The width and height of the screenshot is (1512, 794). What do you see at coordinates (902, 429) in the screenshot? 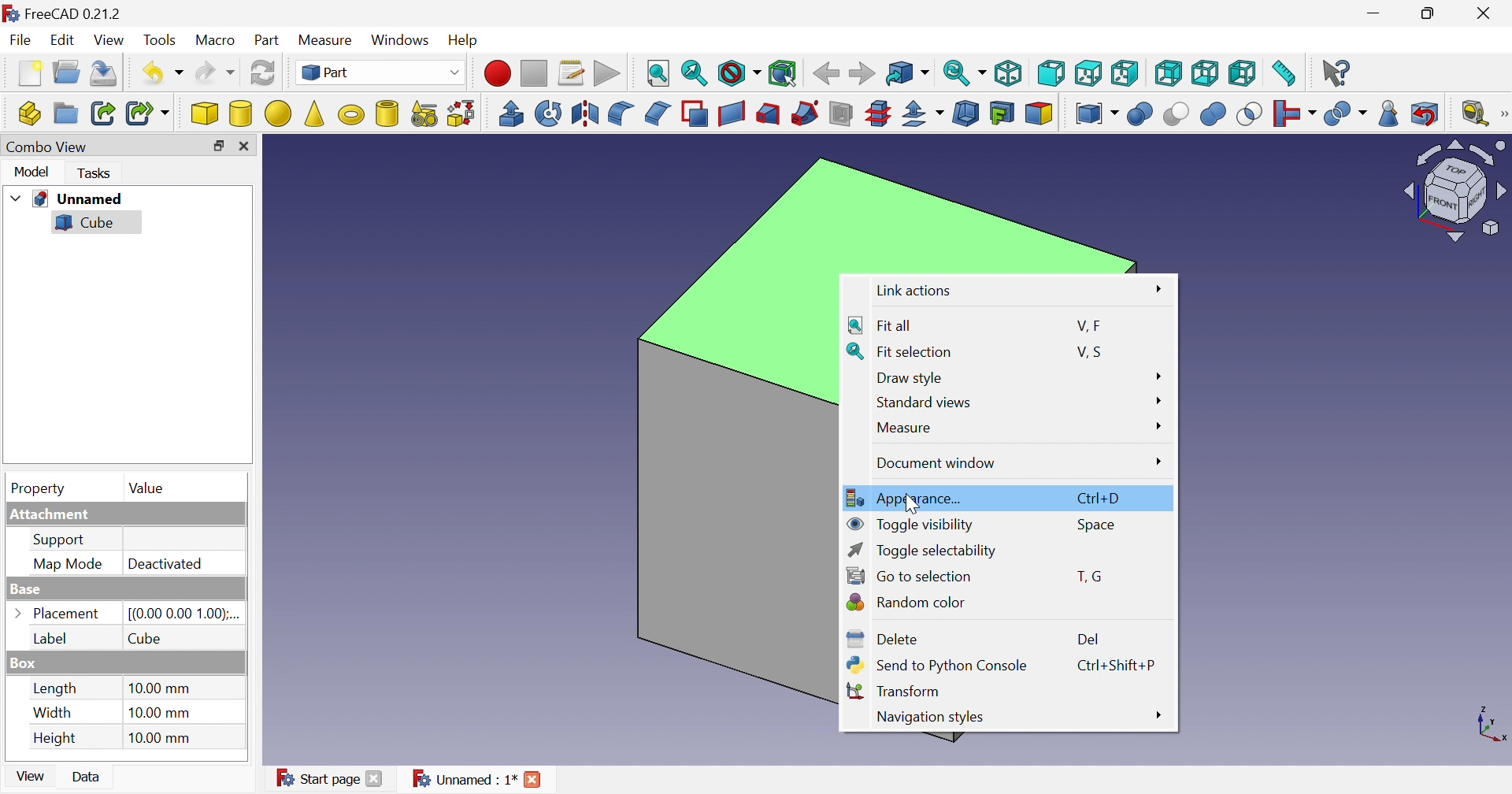
I see `Measure` at bounding box center [902, 429].